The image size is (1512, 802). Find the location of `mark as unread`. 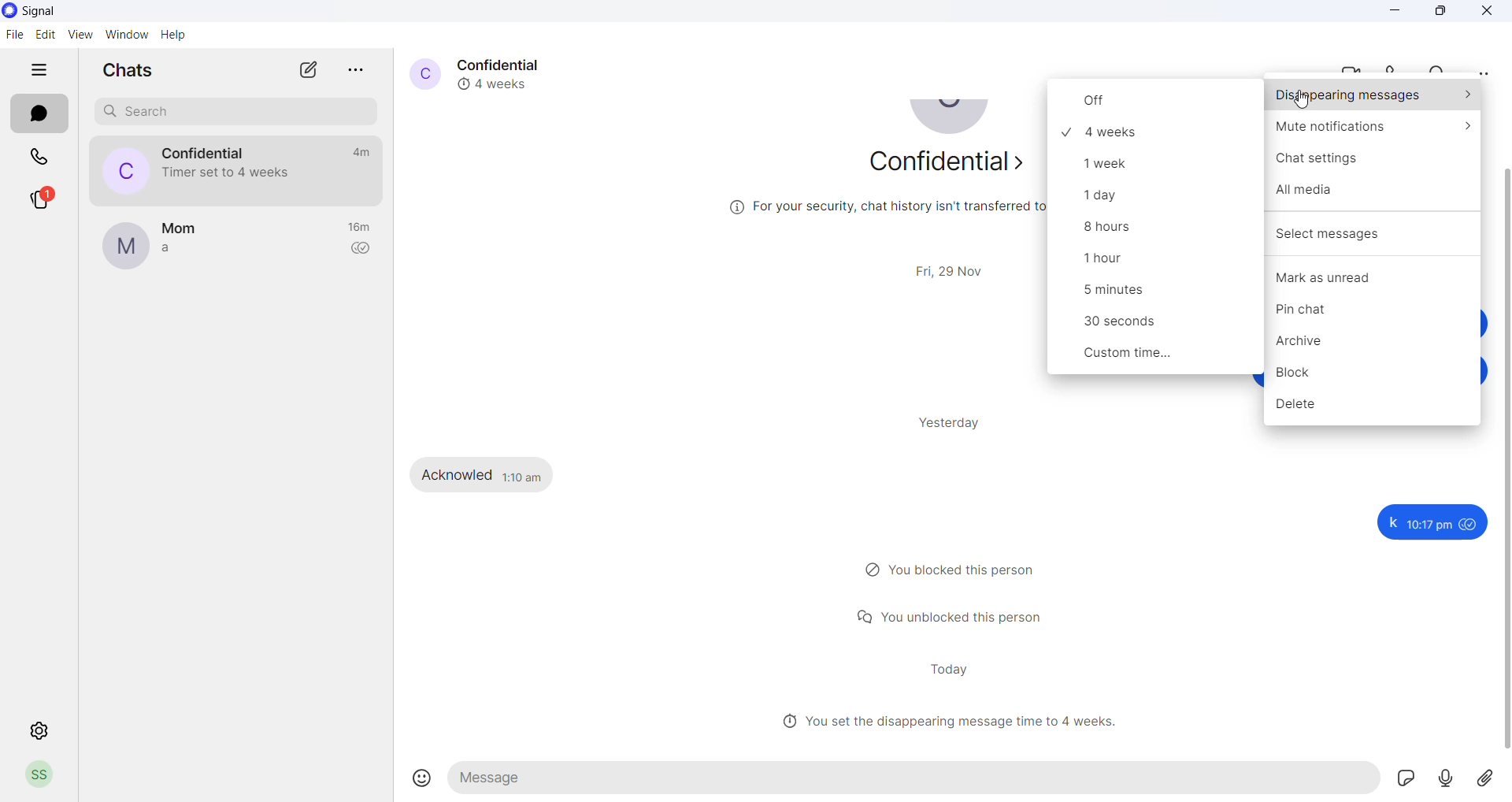

mark as unread is located at coordinates (1373, 279).